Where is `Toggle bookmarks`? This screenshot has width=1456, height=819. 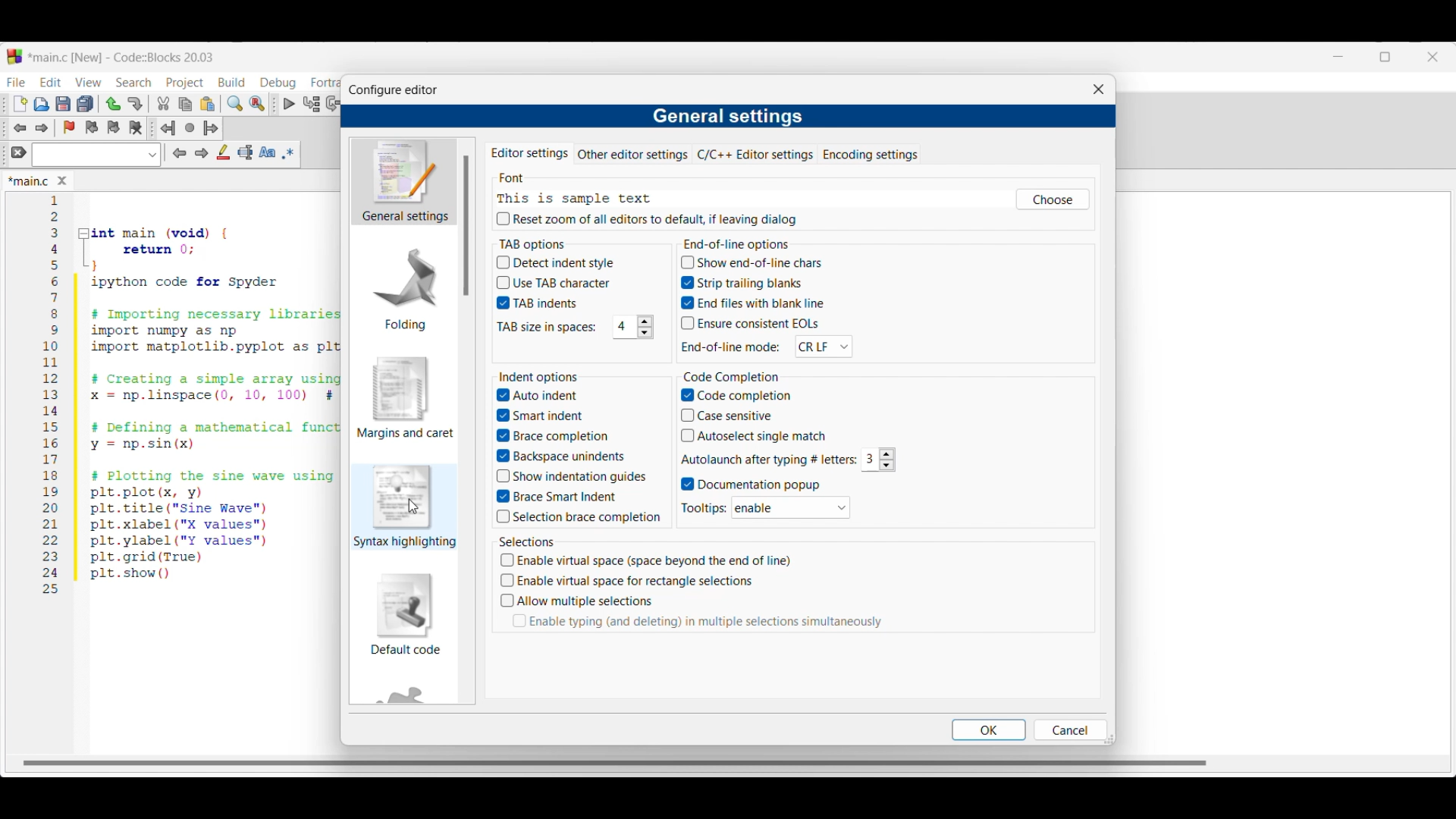 Toggle bookmarks is located at coordinates (69, 127).